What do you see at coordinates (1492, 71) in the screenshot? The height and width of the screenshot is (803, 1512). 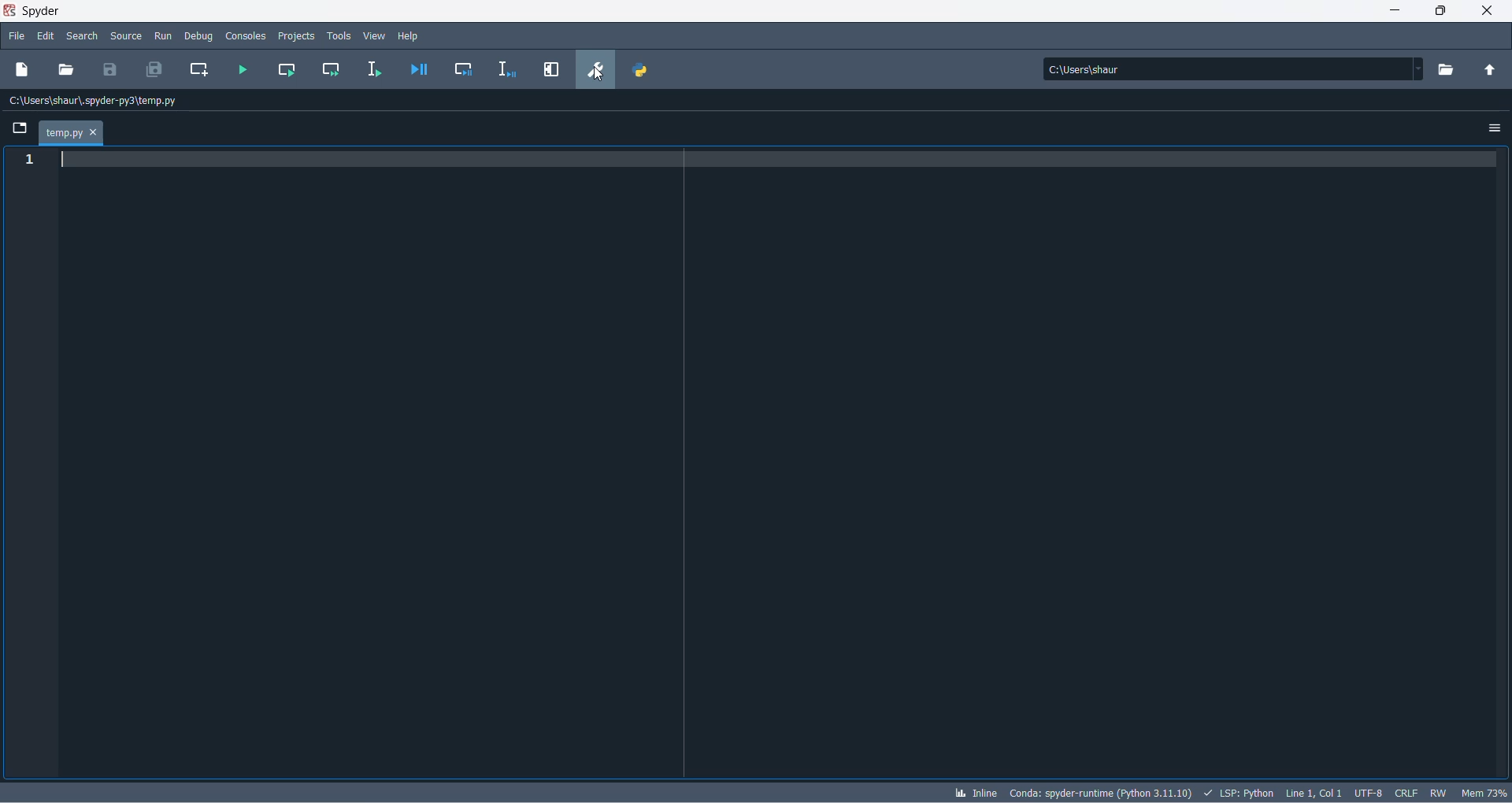 I see `parent folder` at bounding box center [1492, 71].